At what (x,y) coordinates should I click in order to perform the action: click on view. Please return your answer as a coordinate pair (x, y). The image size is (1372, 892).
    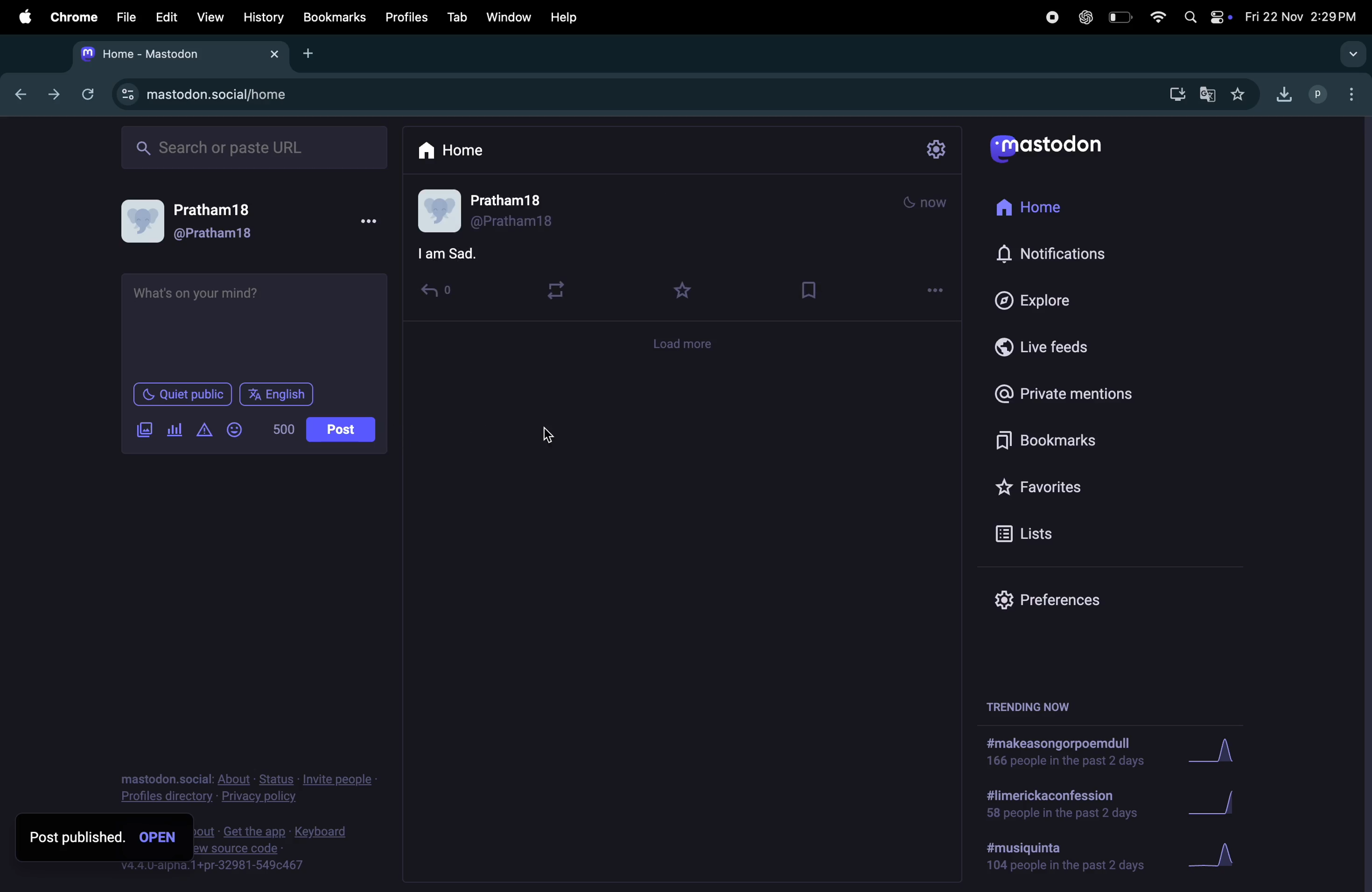
    Looking at the image, I should click on (207, 16).